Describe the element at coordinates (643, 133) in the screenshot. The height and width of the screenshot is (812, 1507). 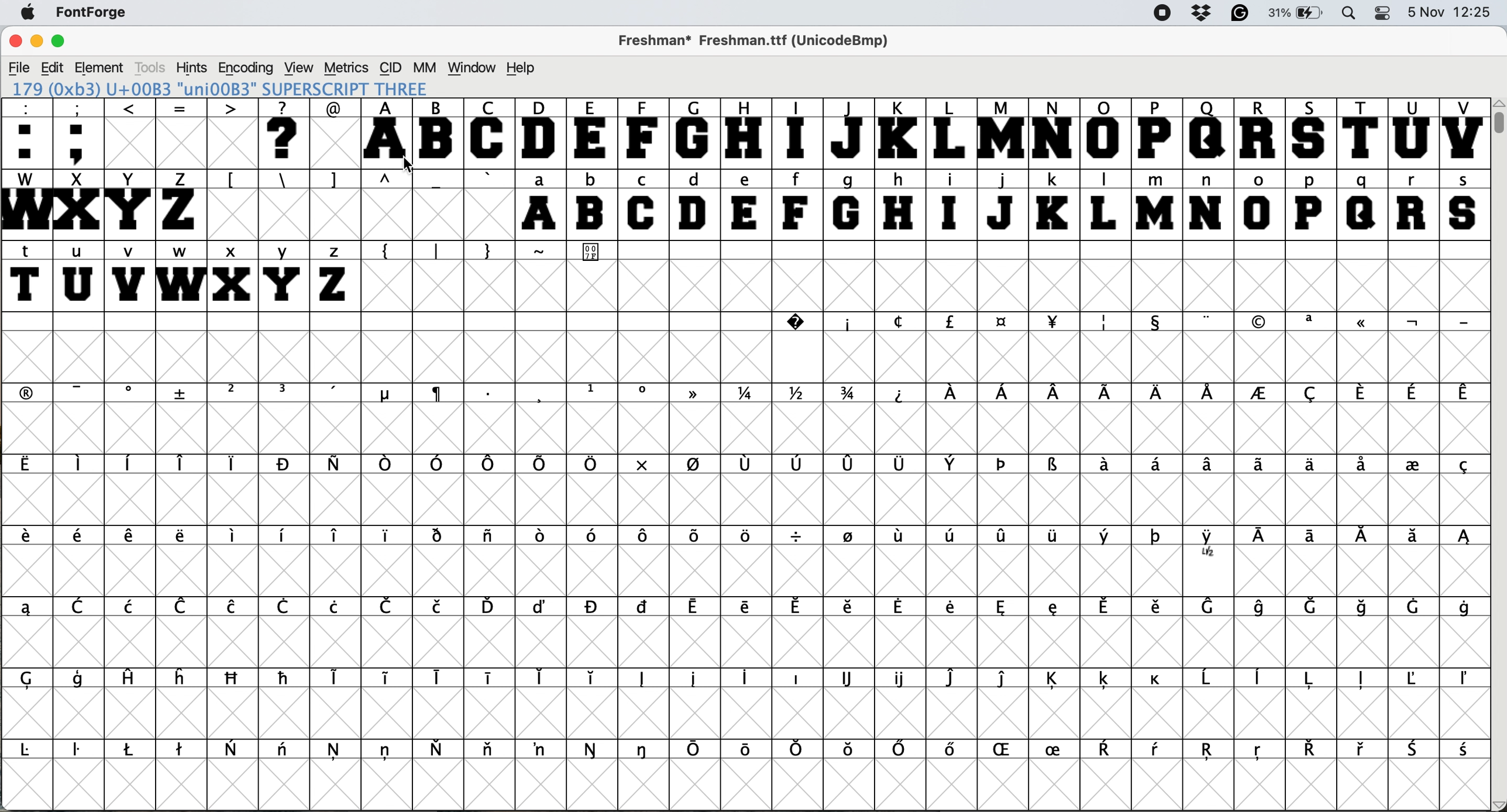
I see `F` at that location.